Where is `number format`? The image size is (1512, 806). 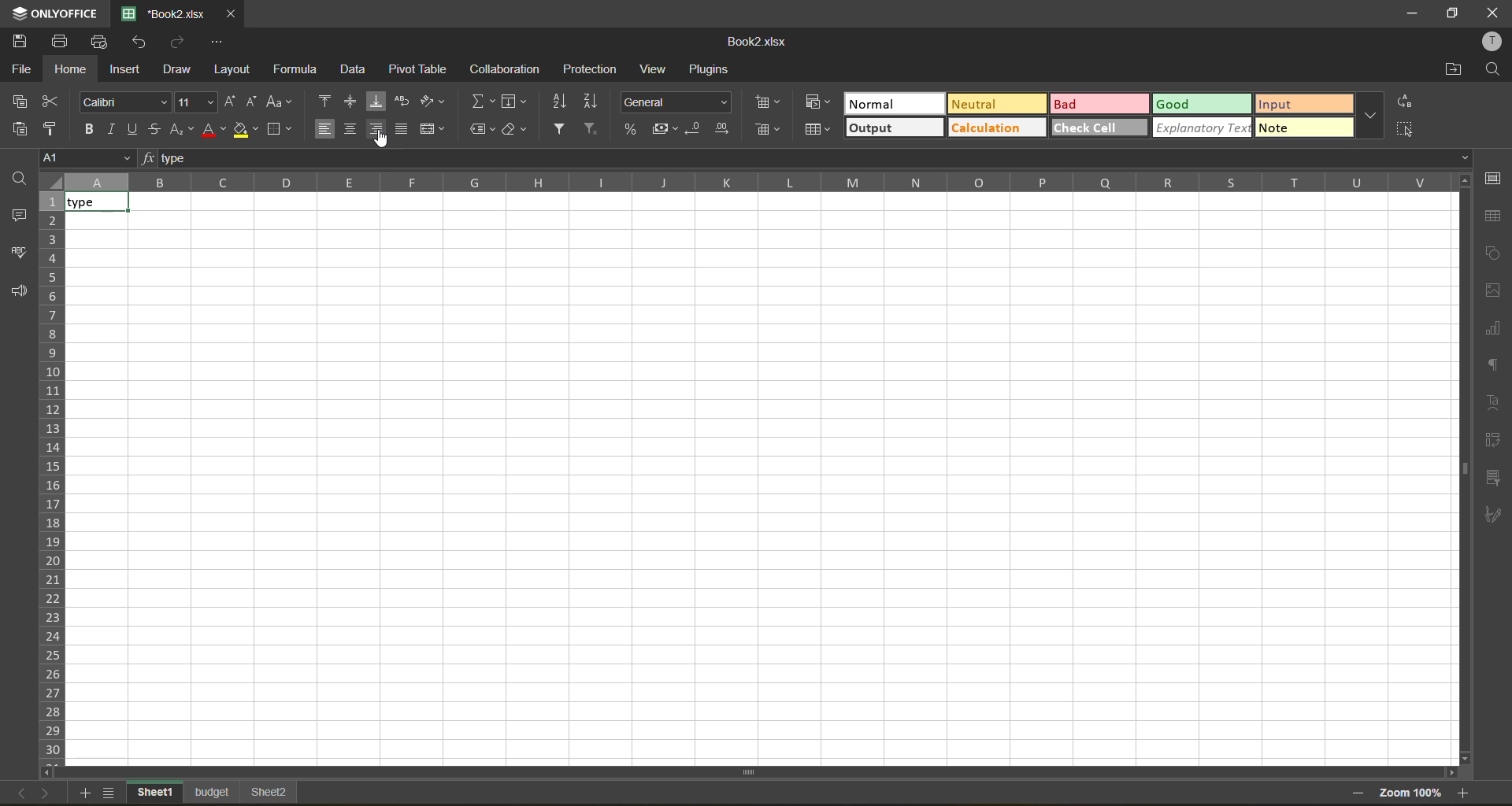
number format is located at coordinates (679, 104).